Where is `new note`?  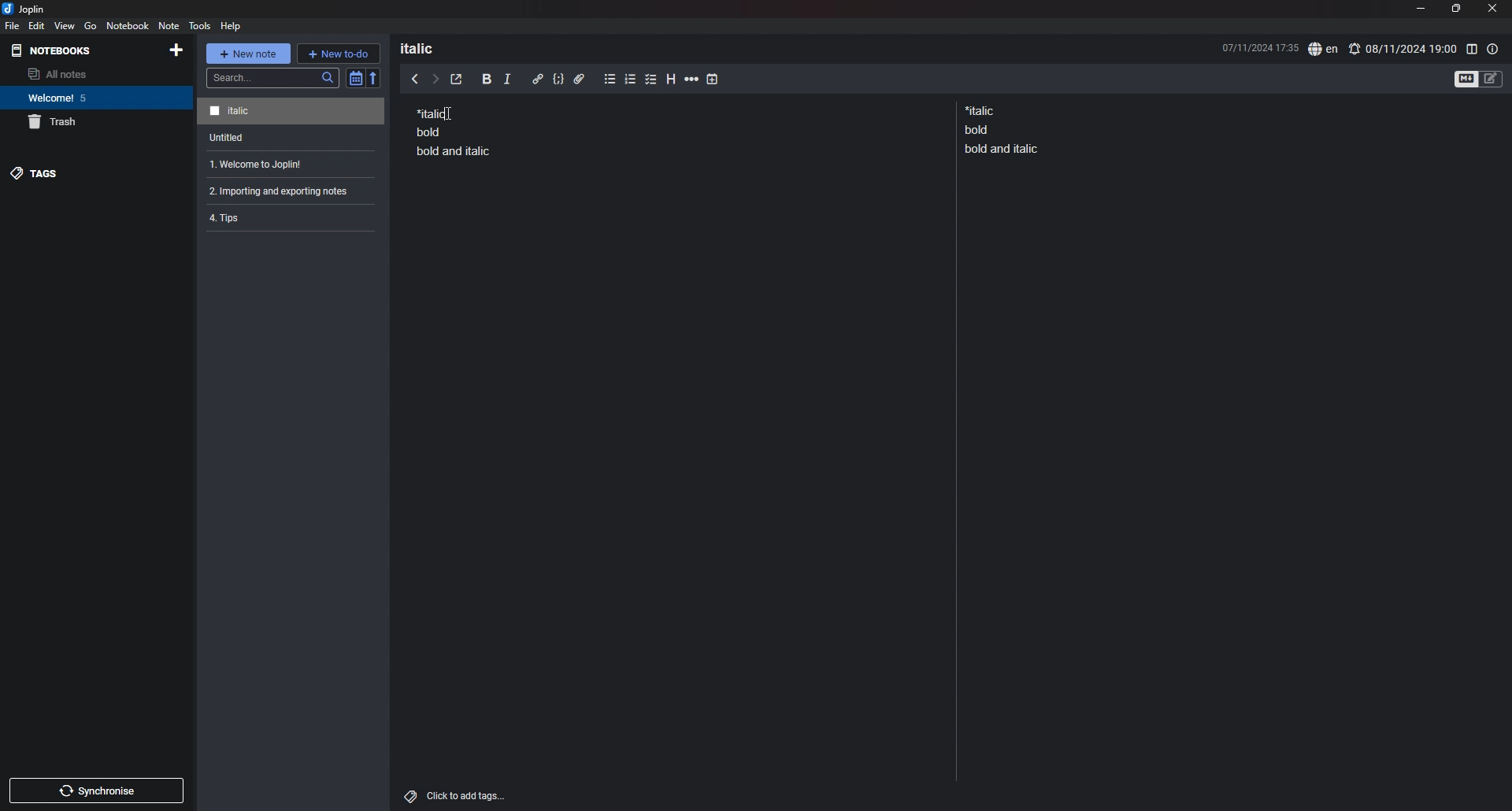 new note is located at coordinates (247, 54).